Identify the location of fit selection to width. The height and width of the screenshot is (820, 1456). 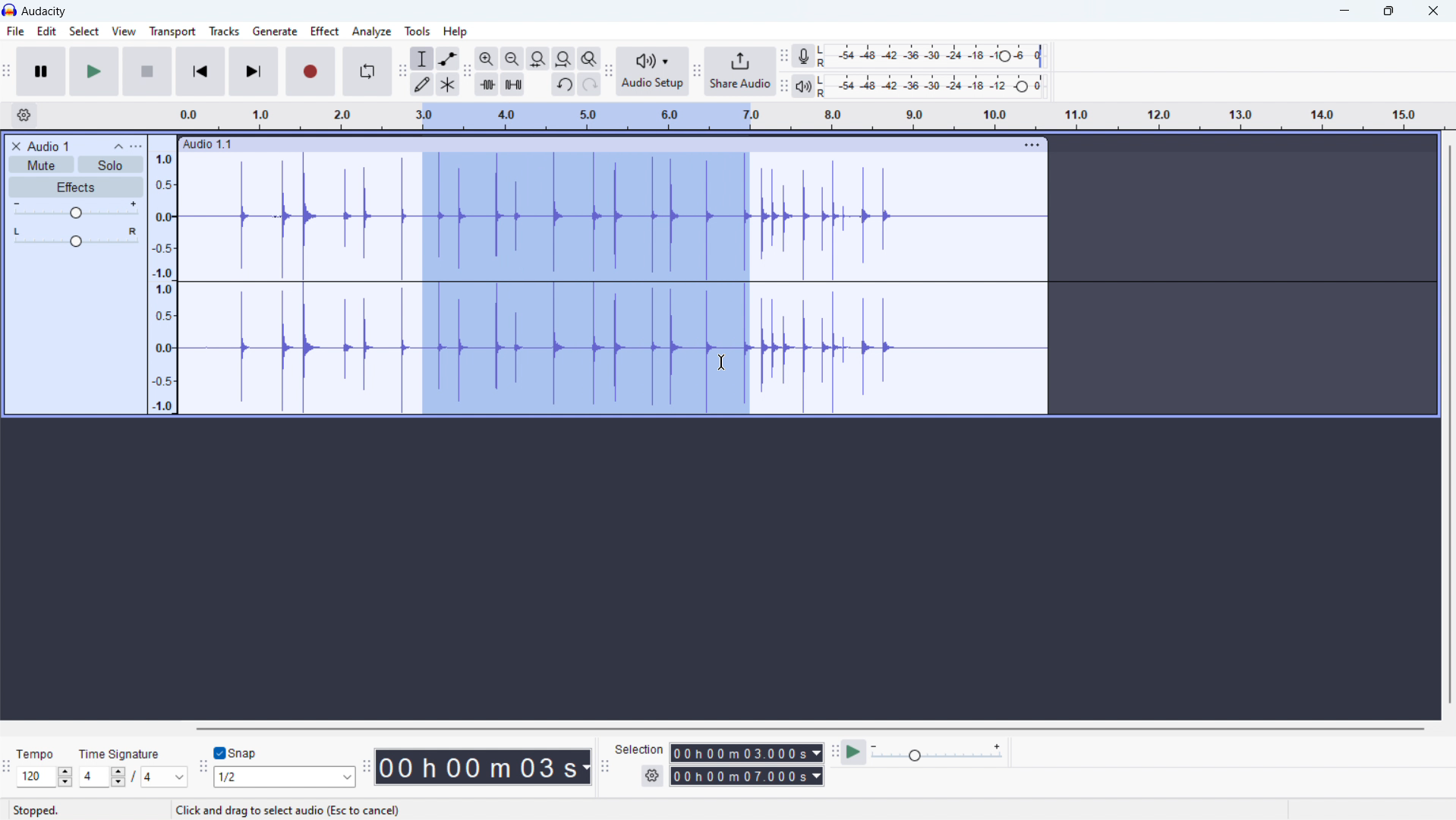
(537, 58).